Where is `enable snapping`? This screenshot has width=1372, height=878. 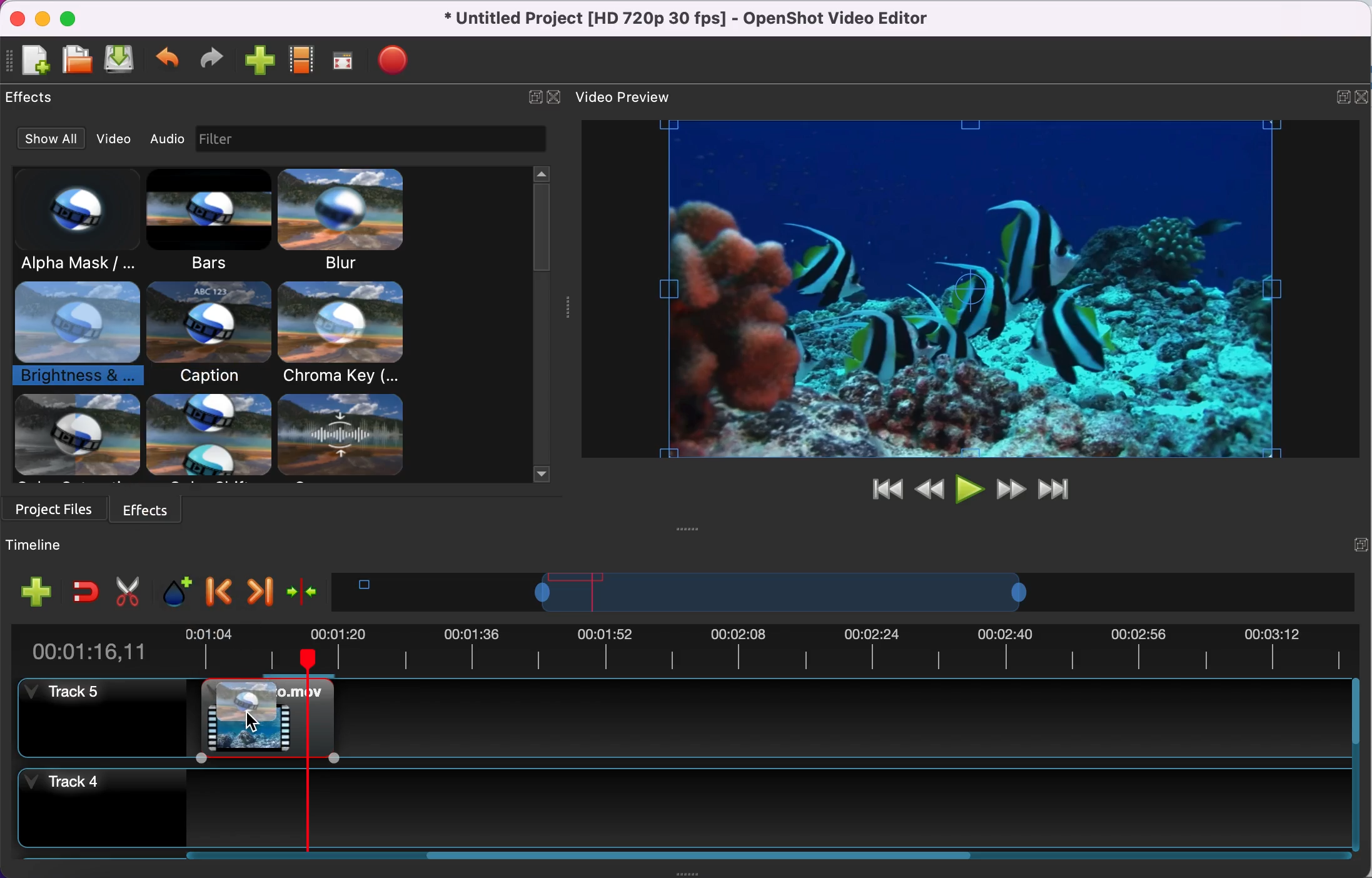
enable snapping is located at coordinates (85, 590).